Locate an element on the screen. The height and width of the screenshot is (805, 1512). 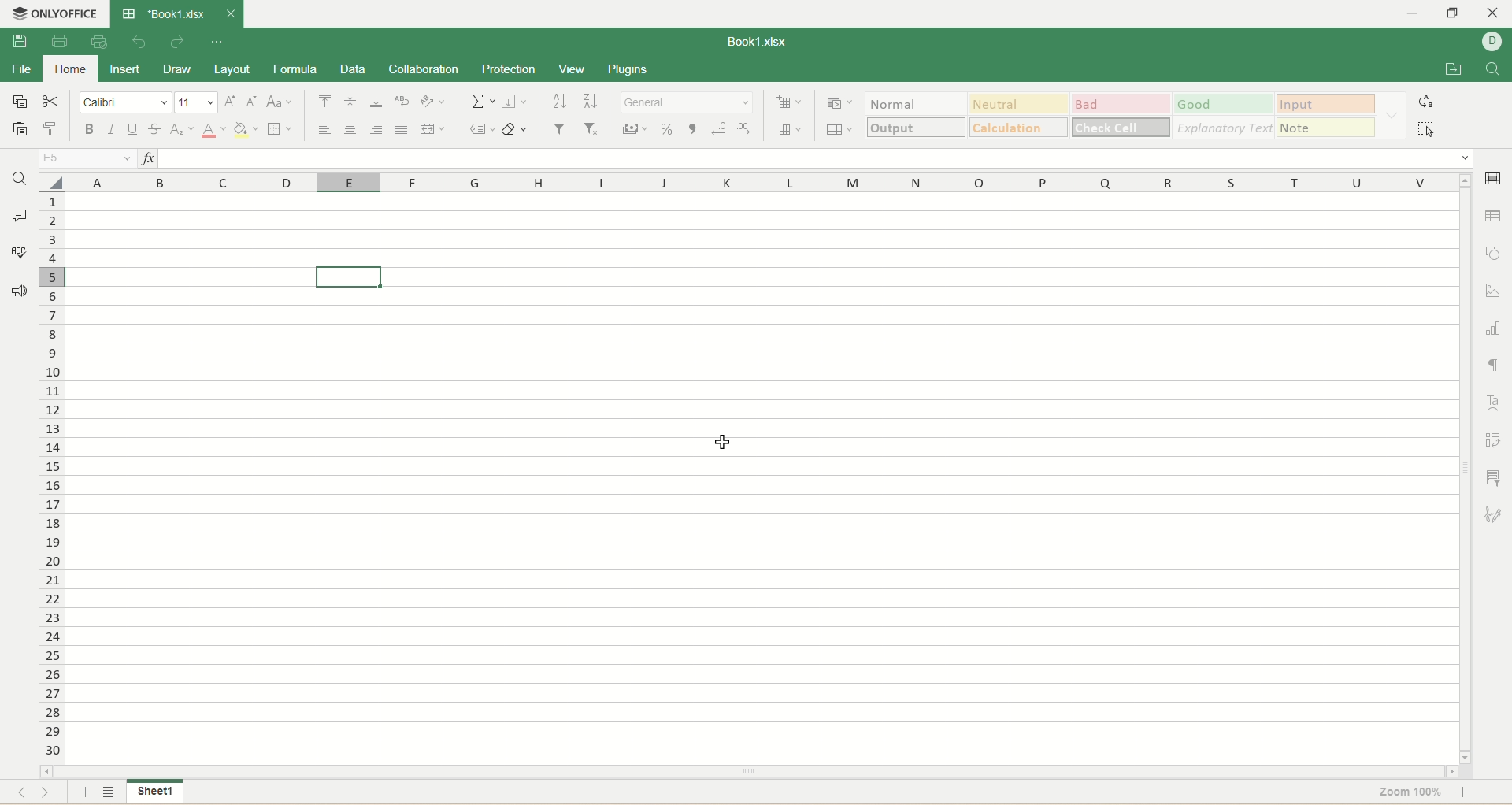
plugins is located at coordinates (624, 69).